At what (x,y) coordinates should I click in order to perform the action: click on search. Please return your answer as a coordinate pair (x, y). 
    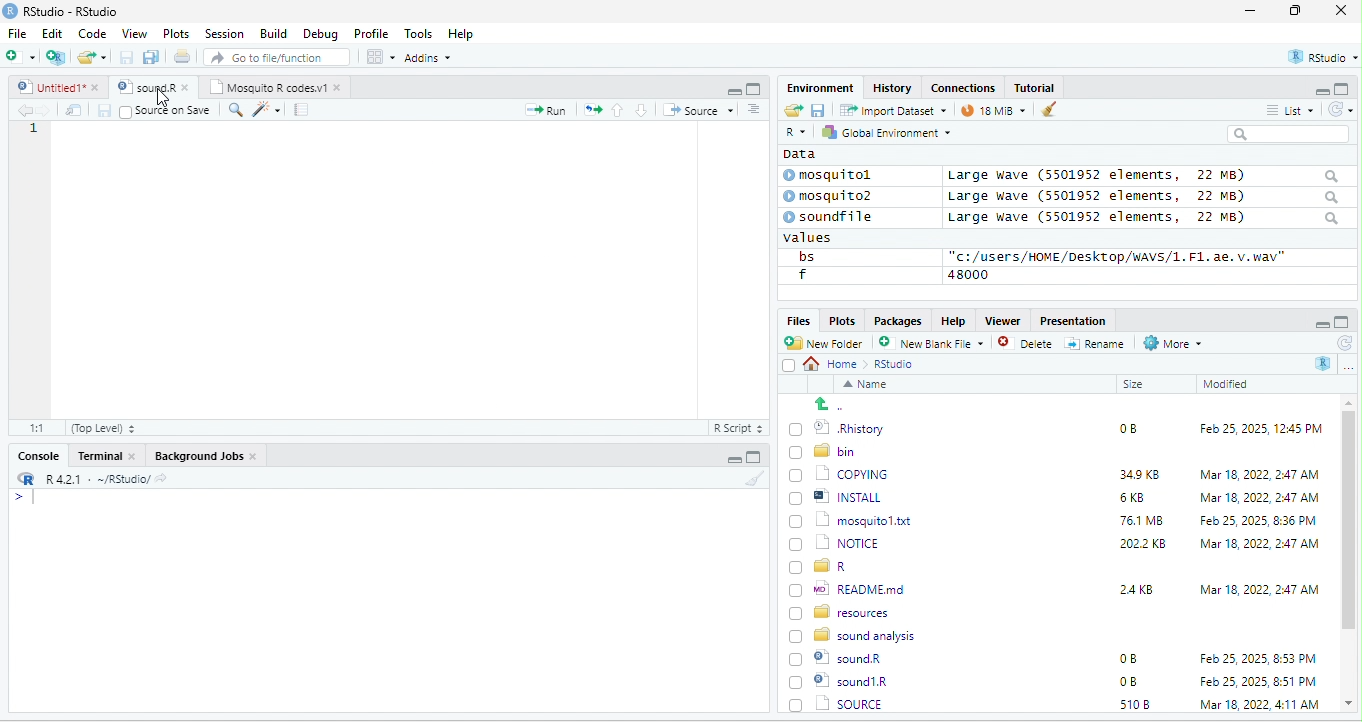
    Looking at the image, I should click on (235, 108).